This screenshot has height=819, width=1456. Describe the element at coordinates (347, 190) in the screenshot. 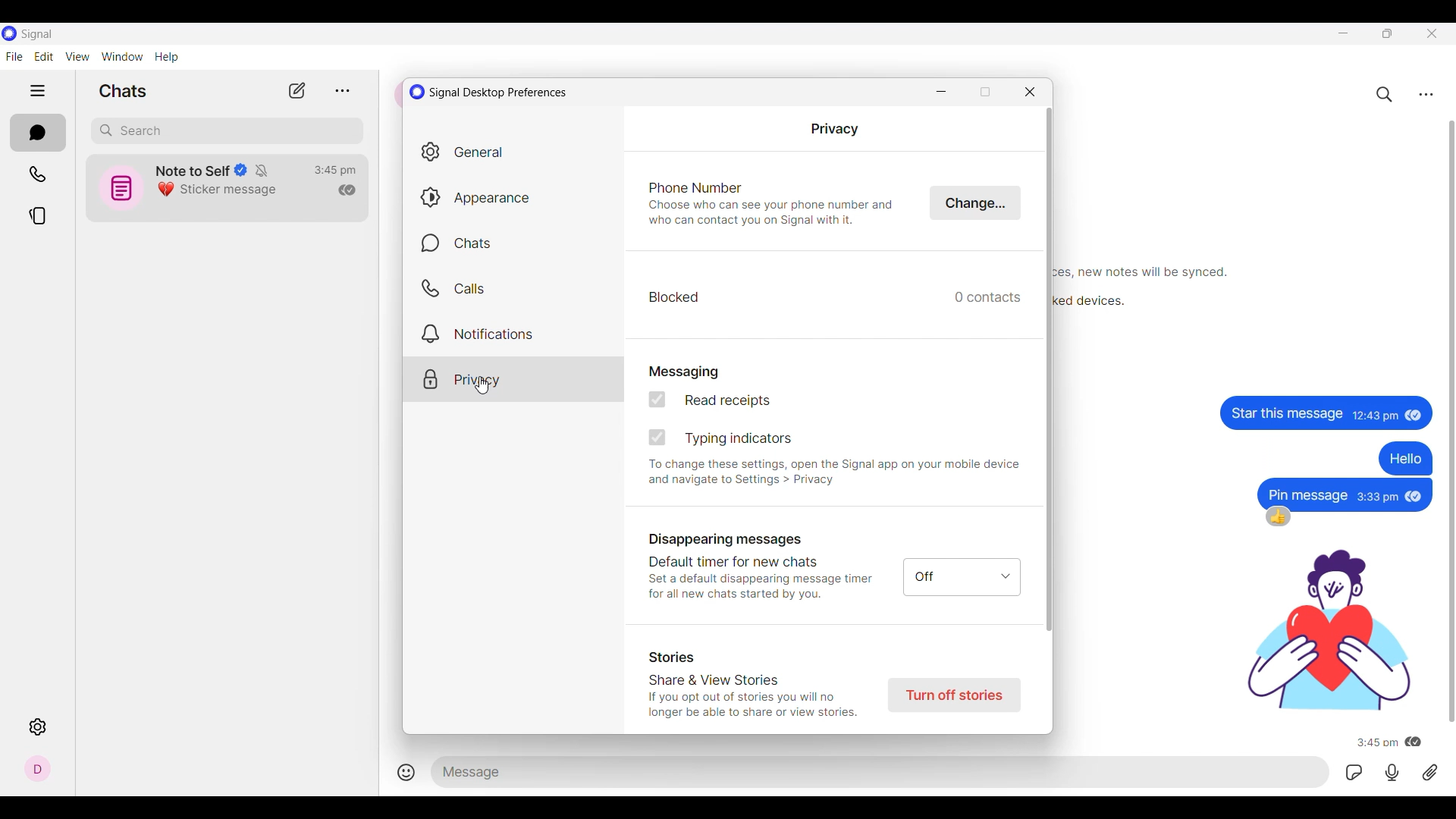

I see `Indicates read` at that location.